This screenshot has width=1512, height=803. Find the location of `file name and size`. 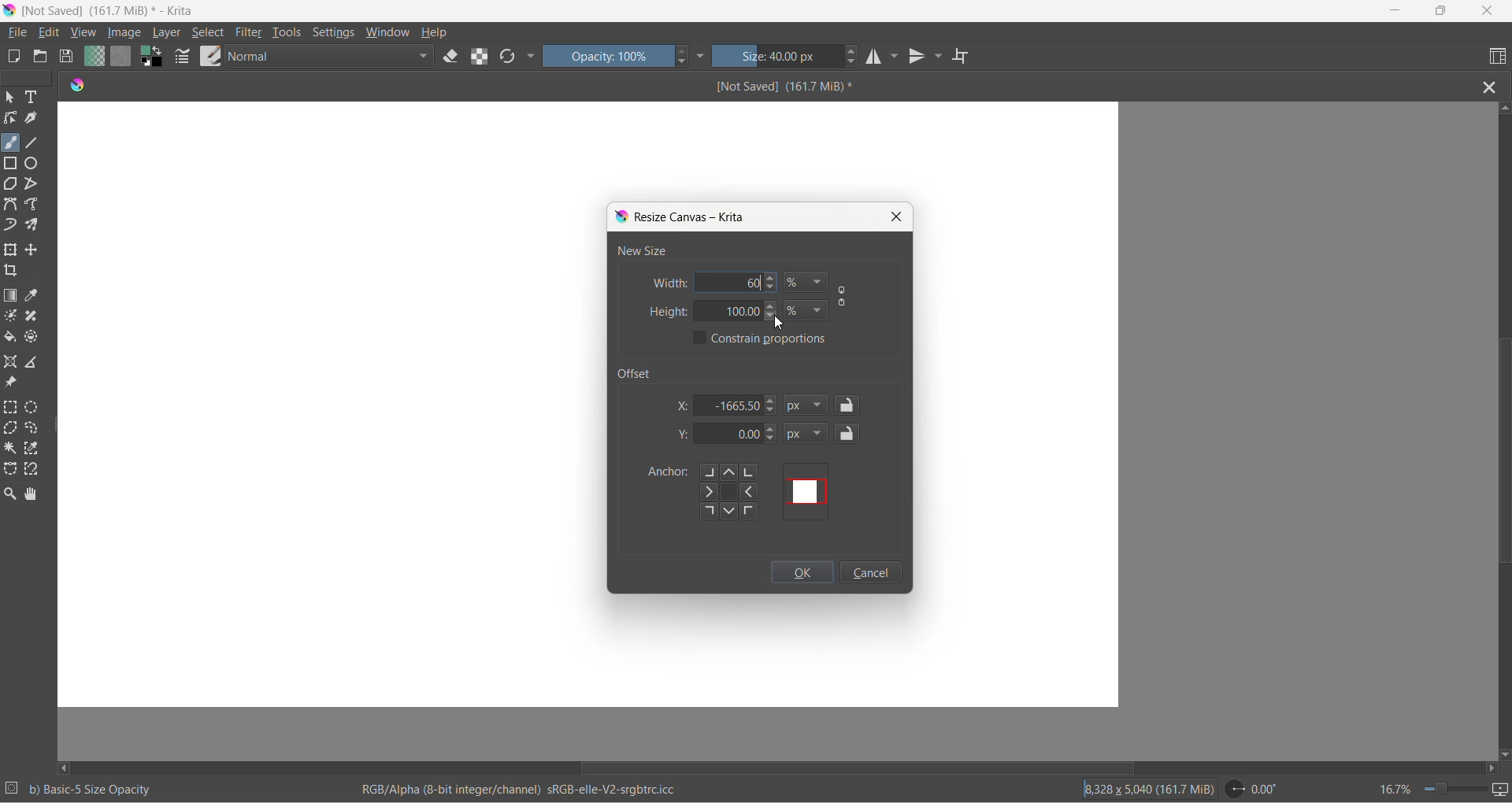

file name and size is located at coordinates (769, 87).